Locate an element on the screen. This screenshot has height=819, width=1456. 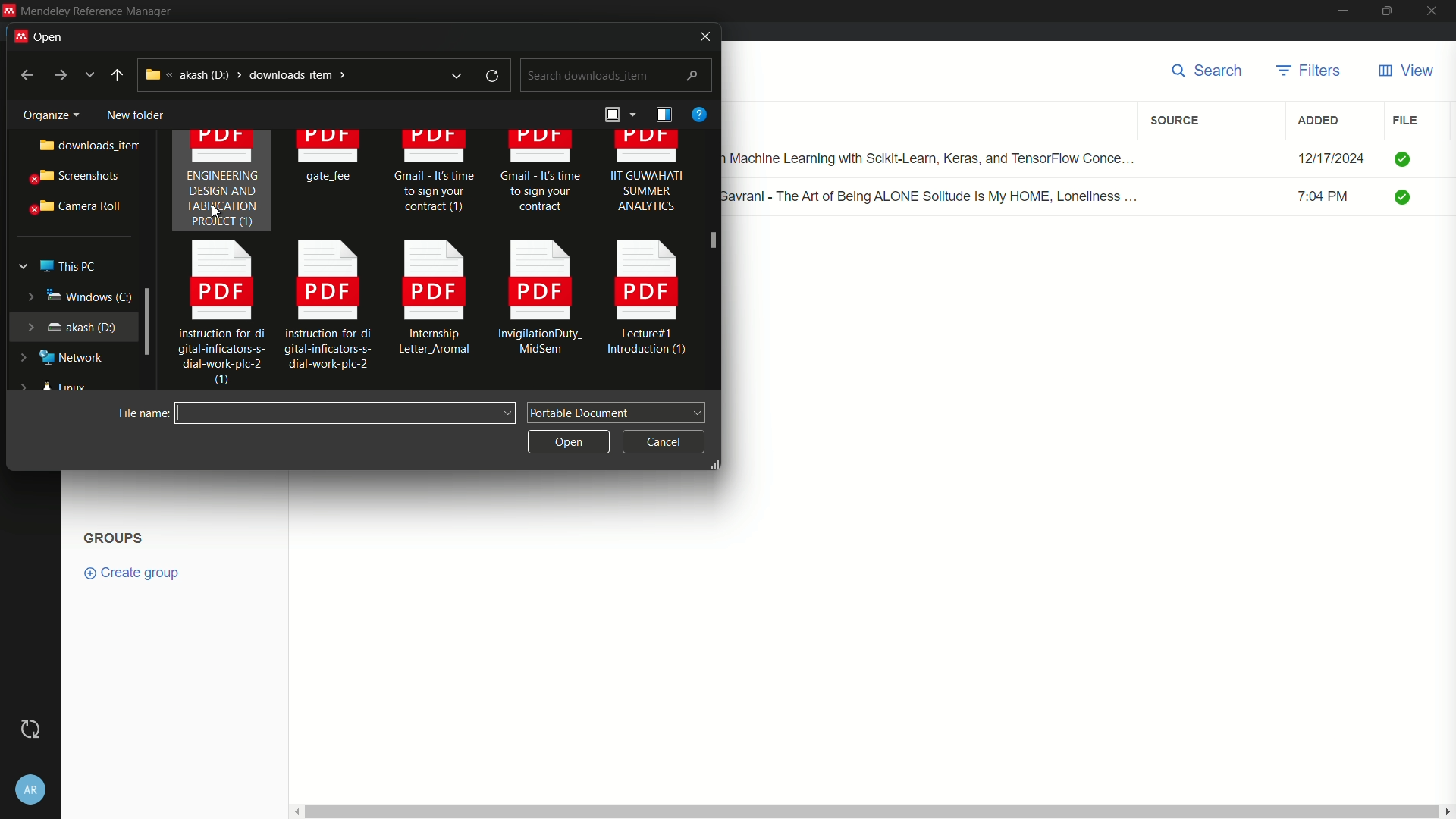
expand is located at coordinates (456, 75).